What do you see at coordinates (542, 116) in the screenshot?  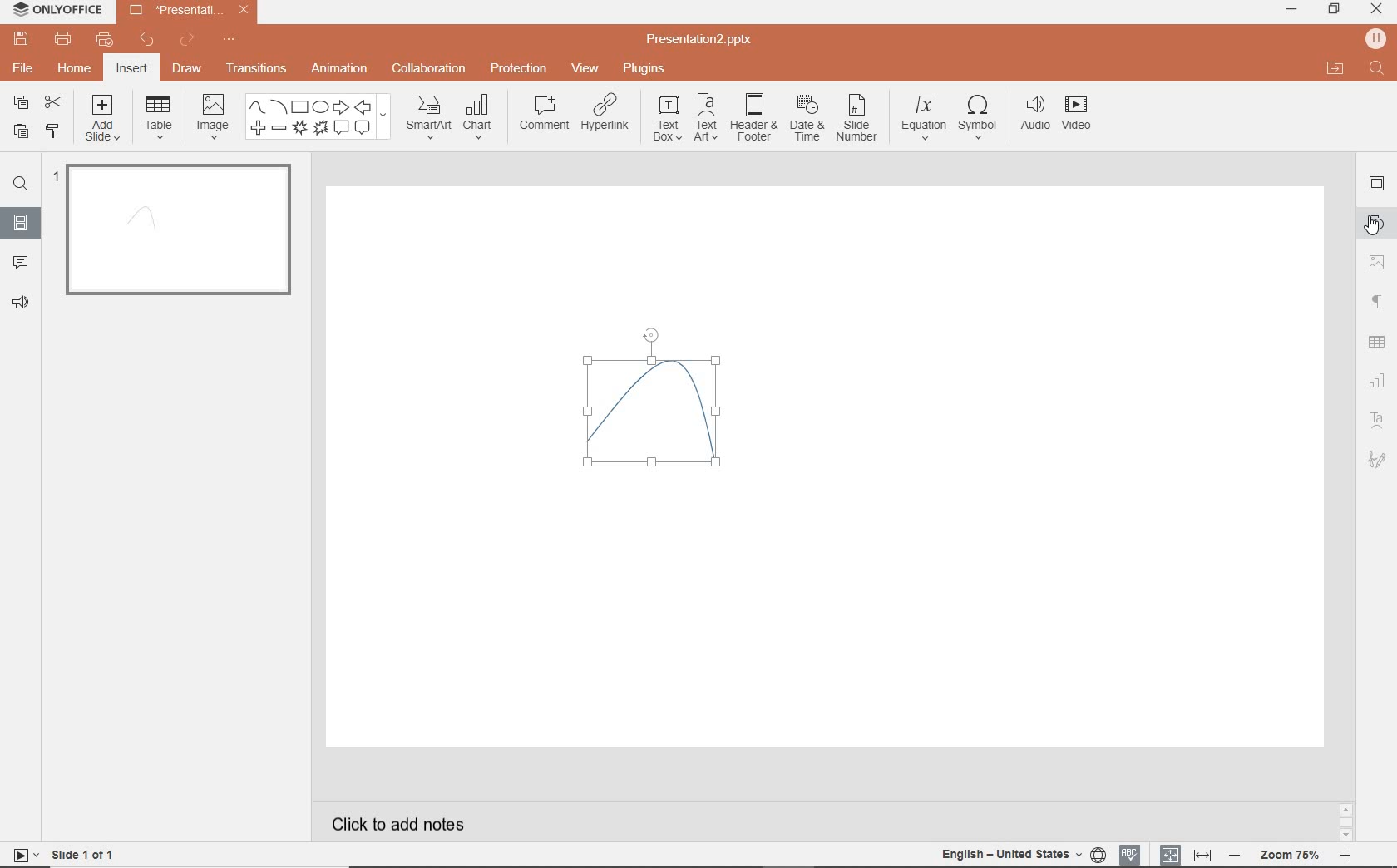 I see `COMMENT` at bounding box center [542, 116].